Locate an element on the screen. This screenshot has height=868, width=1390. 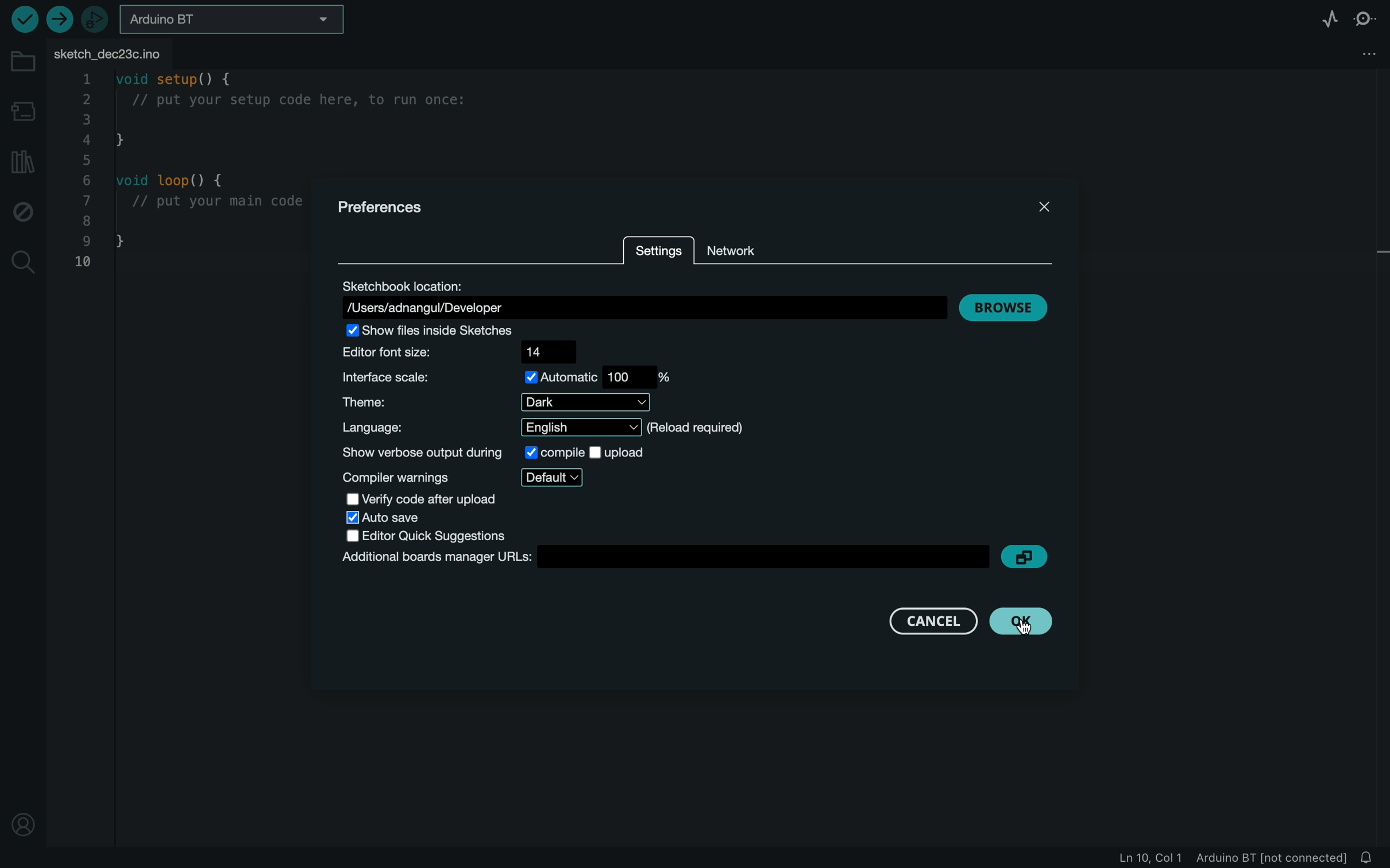
font size is located at coordinates (472, 351).